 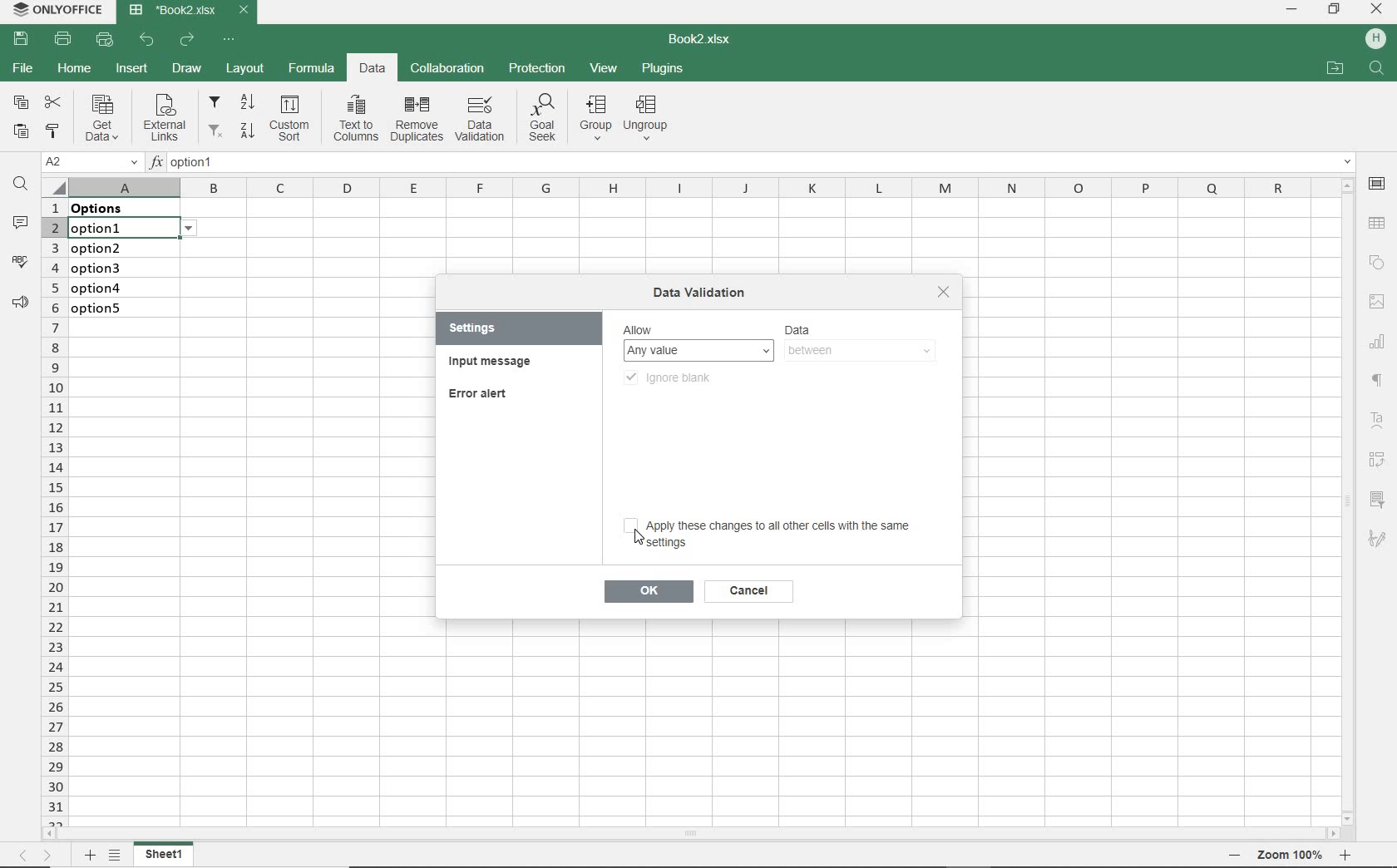 I want to click on COLUMNS, so click(x=700, y=186).